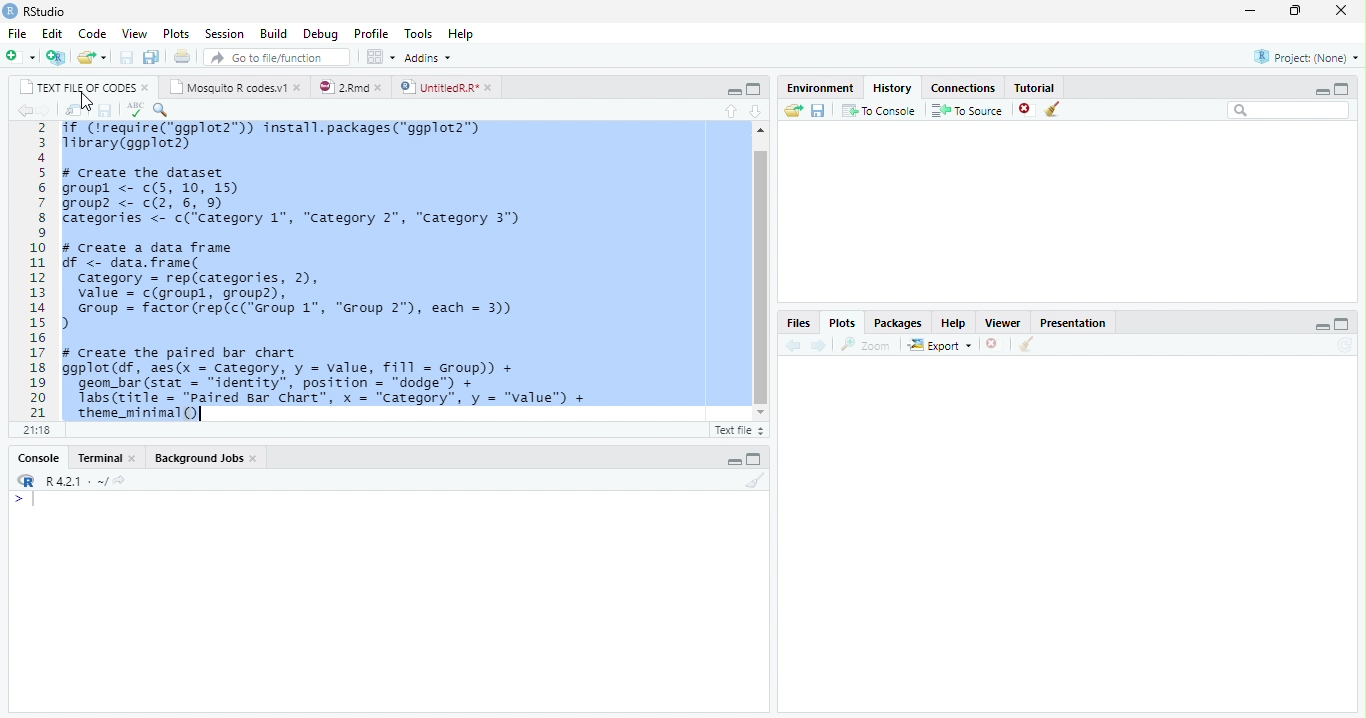 This screenshot has height=718, width=1366. What do you see at coordinates (793, 346) in the screenshot?
I see `previous plot` at bounding box center [793, 346].